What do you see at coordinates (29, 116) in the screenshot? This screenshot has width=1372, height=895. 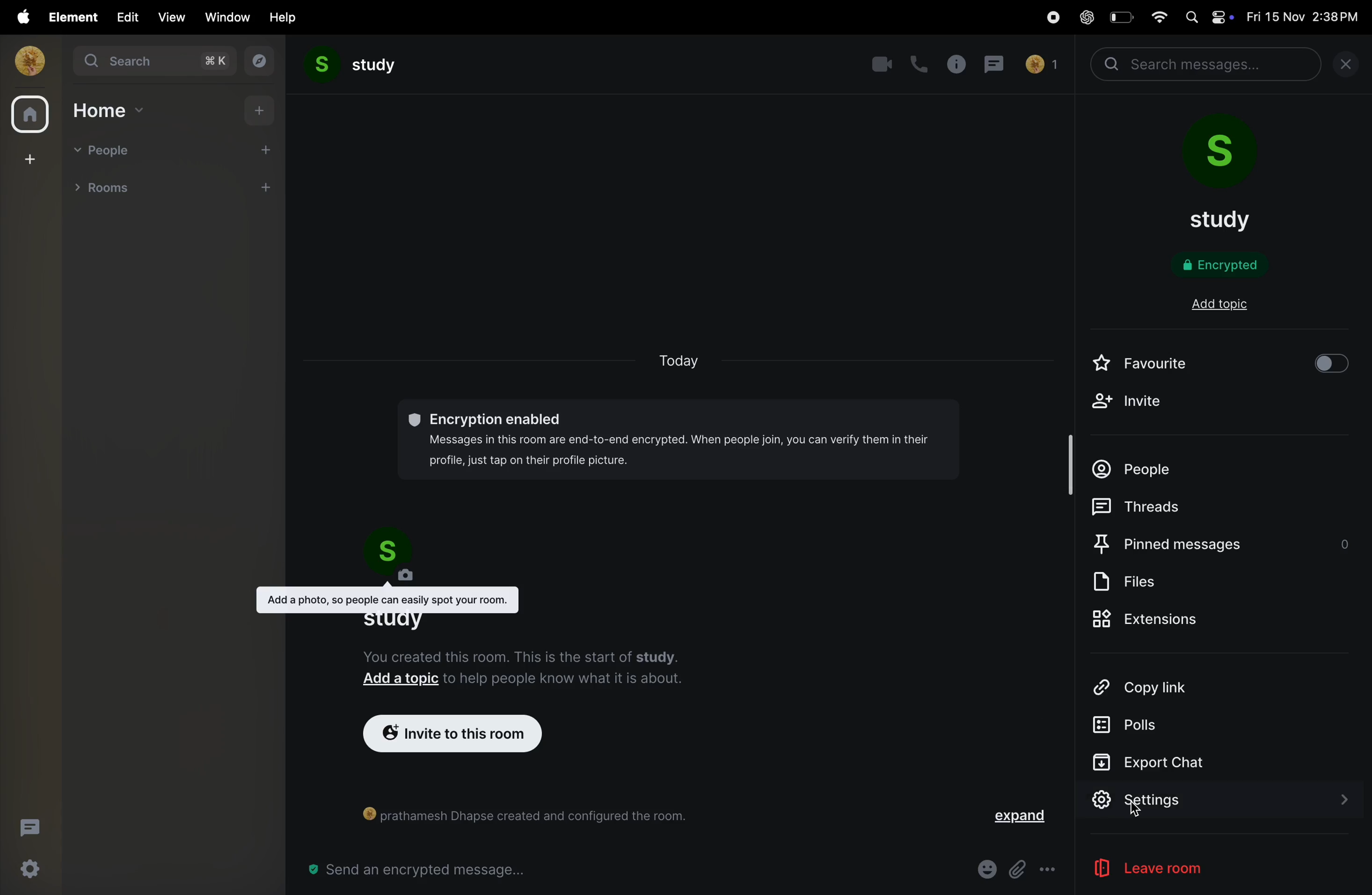 I see `home ` at bounding box center [29, 116].